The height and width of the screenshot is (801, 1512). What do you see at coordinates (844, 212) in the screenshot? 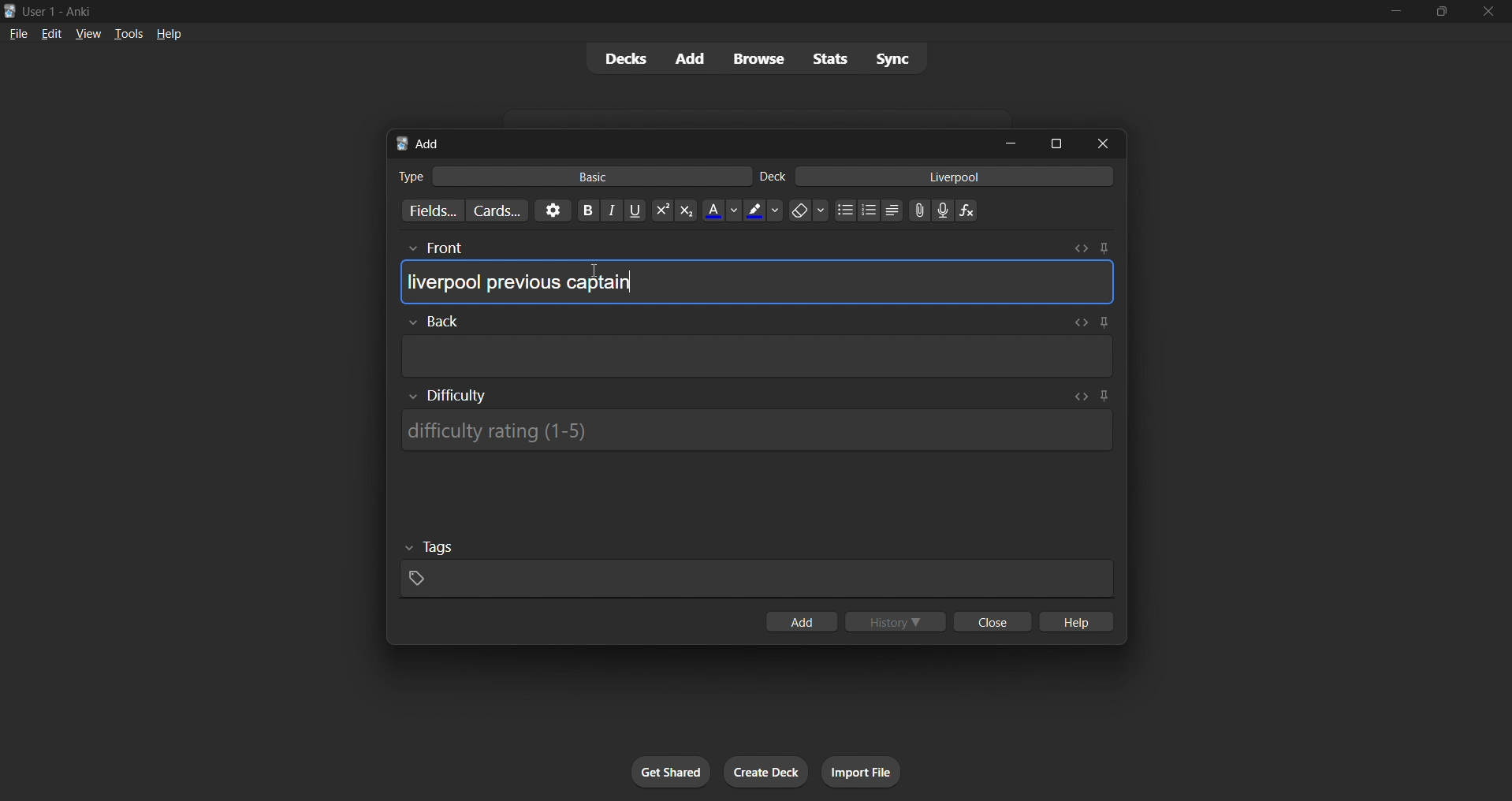
I see `dotted list` at bounding box center [844, 212].